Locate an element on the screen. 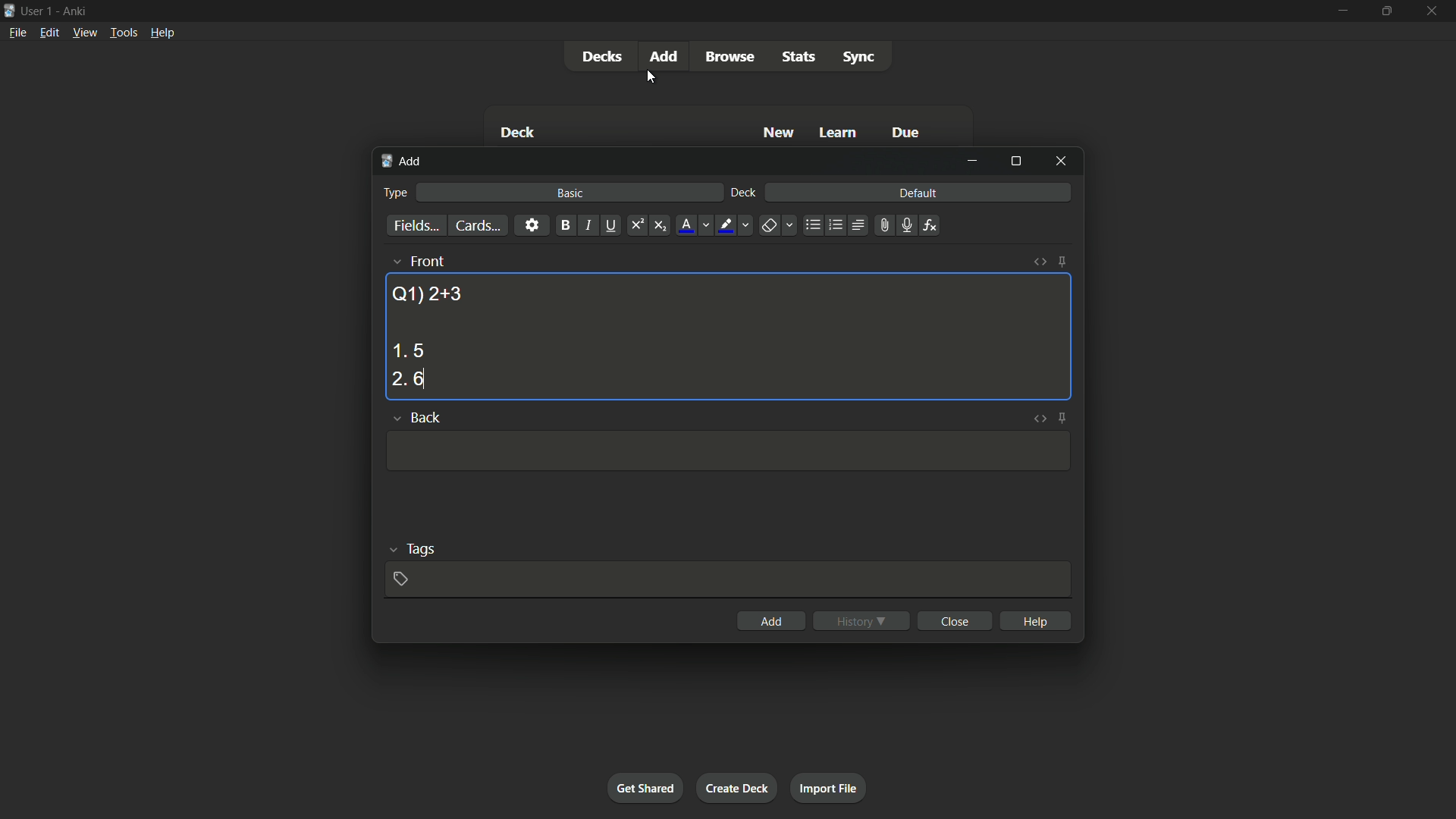 The image size is (1456, 819). sync is located at coordinates (859, 58).